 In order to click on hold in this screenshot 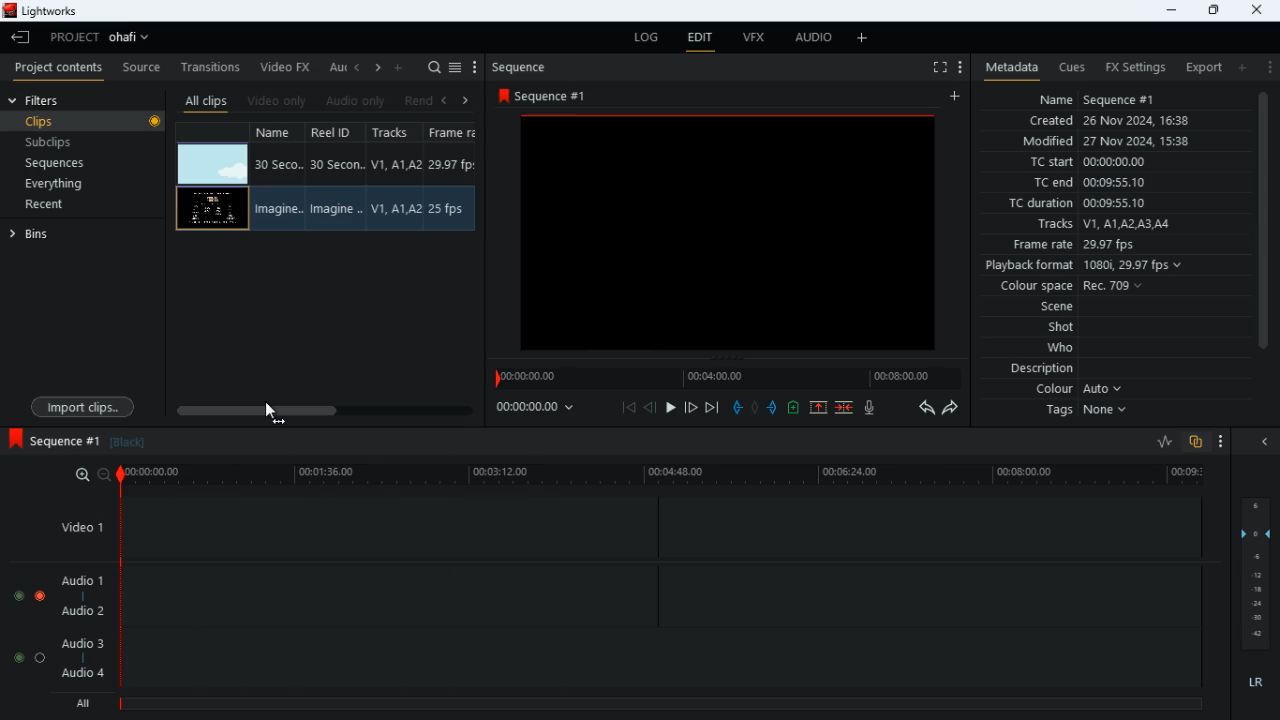, I will do `click(755, 408)`.